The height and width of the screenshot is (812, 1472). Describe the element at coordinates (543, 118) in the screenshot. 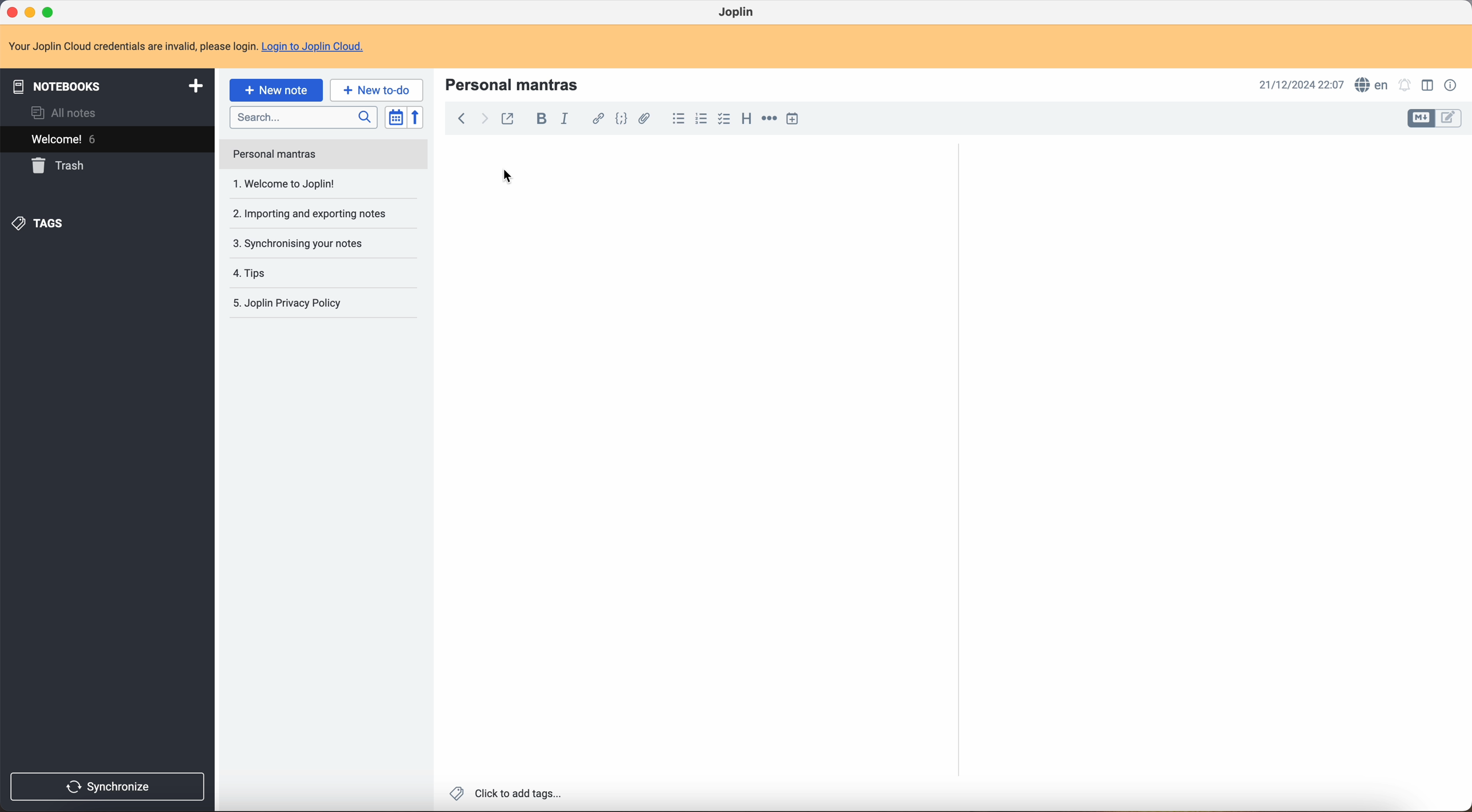

I see `bold` at that location.